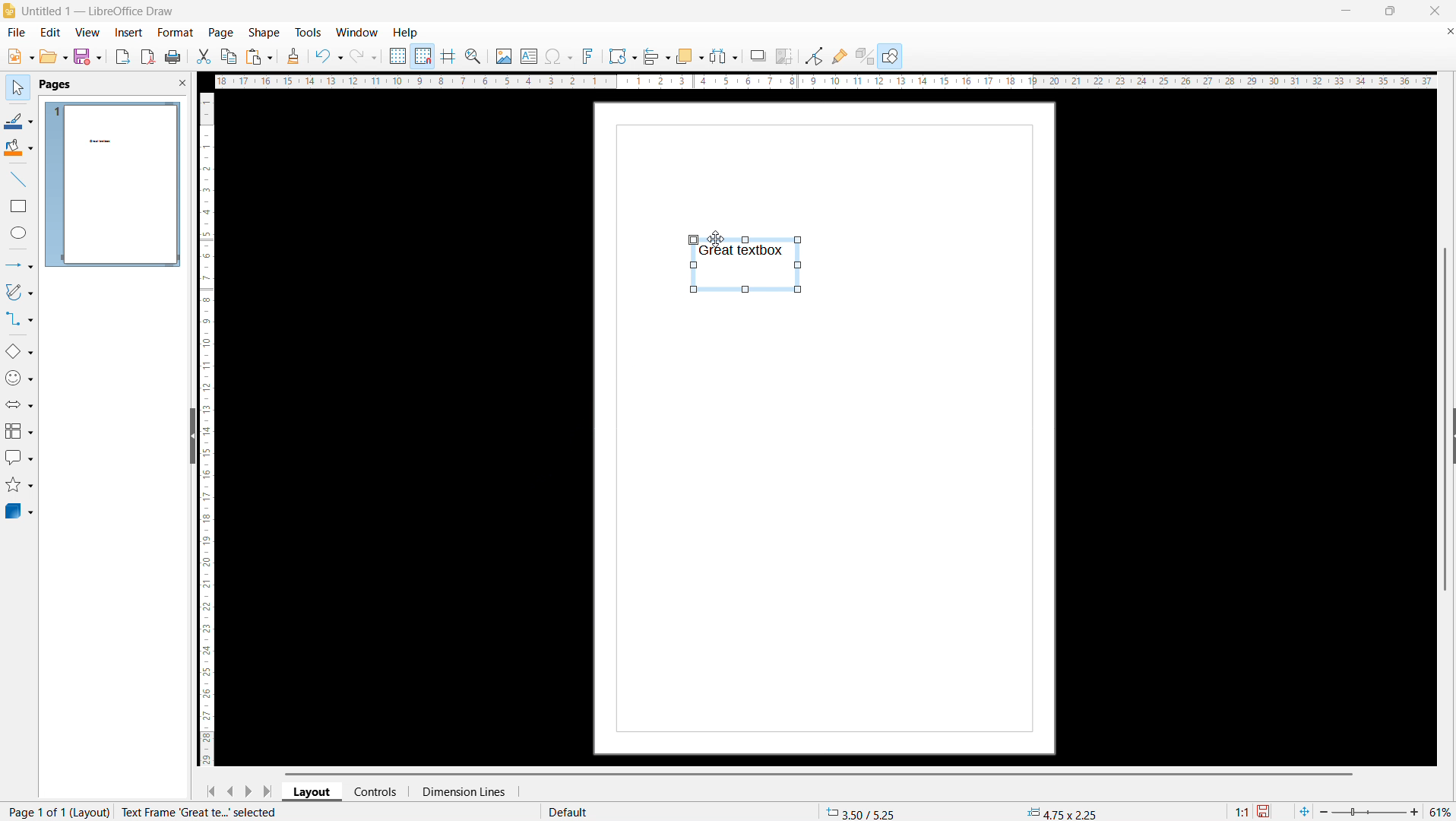 This screenshot has height=821, width=1456. Describe the element at coordinates (19, 57) in the screenshot. I see `file` at that location.